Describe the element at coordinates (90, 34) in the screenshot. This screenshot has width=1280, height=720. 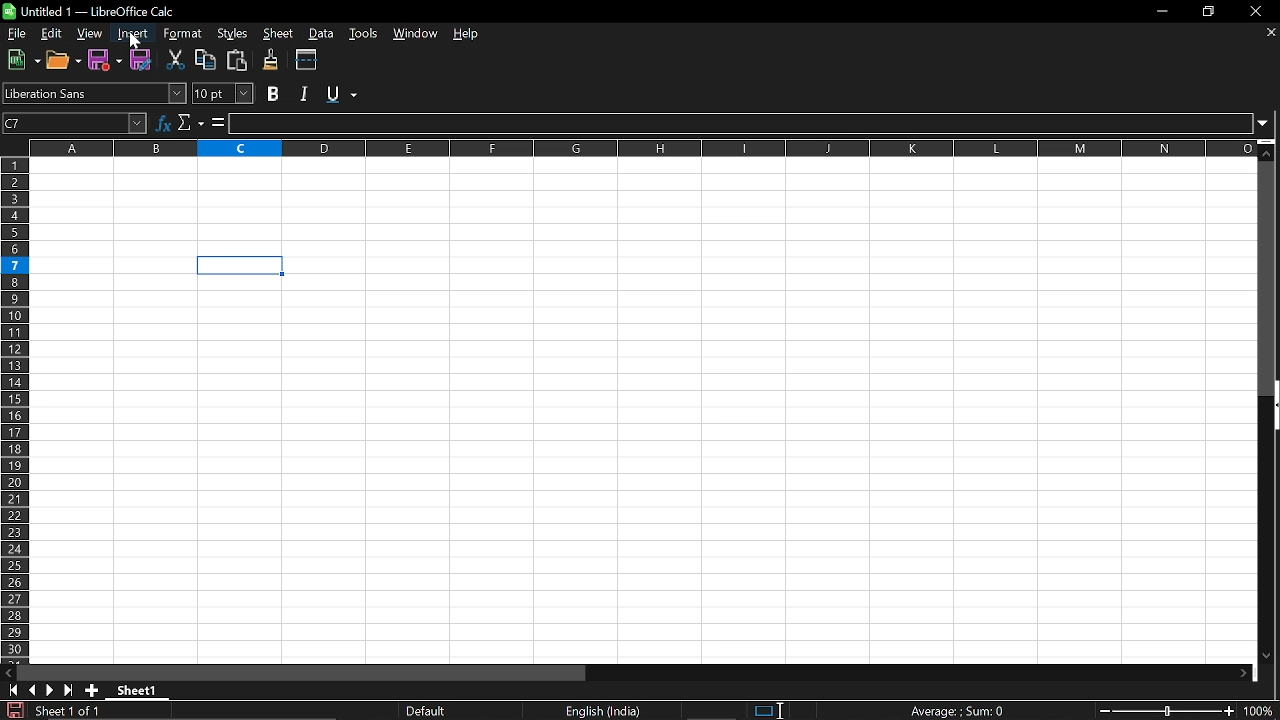
I see `View` at that location.